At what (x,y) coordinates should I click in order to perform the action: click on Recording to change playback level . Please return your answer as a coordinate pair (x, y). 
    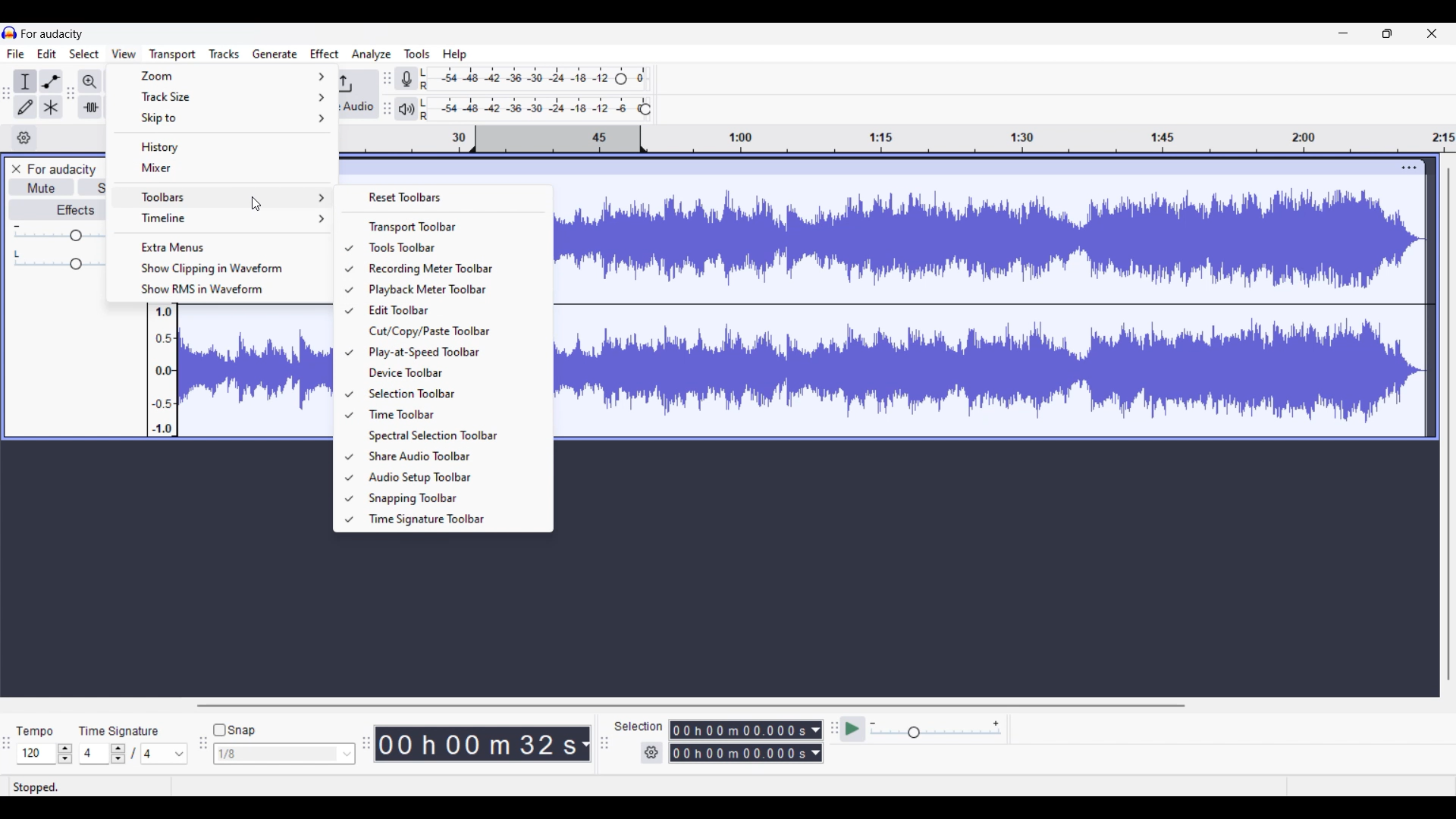
    Looking at the image, I should click on (645, 109).